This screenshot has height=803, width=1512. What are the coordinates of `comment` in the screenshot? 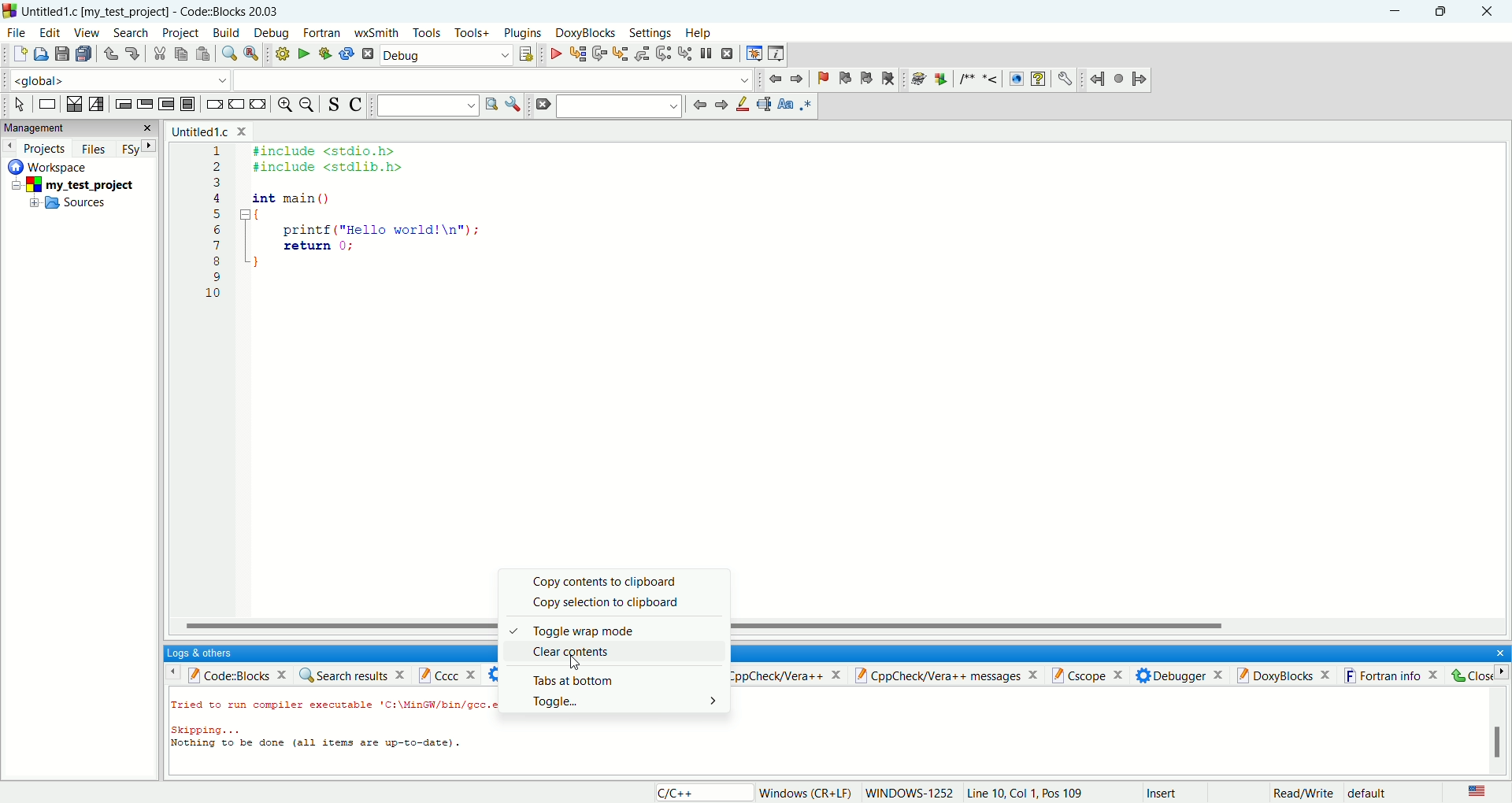 It's located at (981, 79).